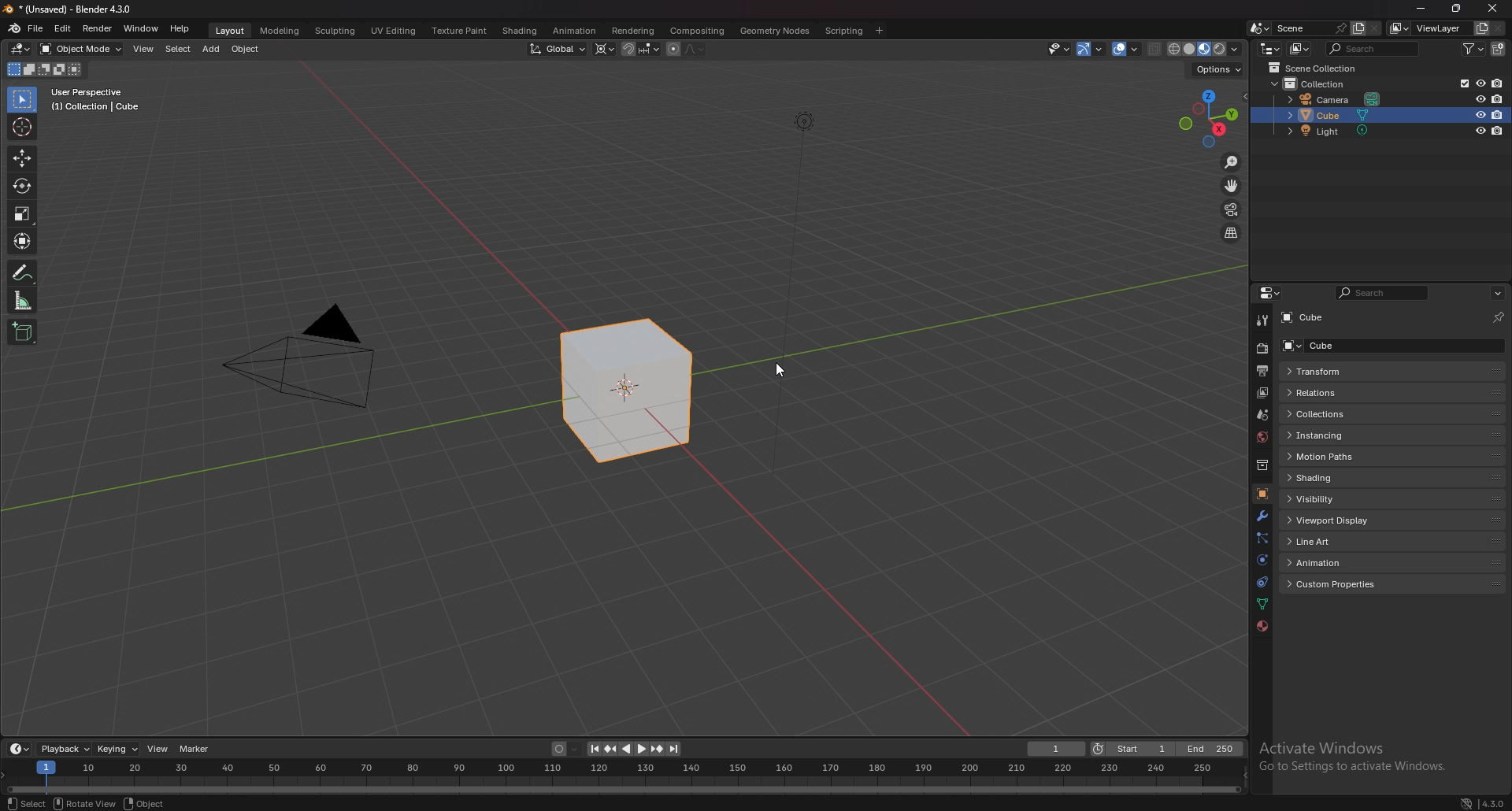  What do you see at coordinates (1381, 292) in the screenshot?
I see `search` at bounding box center [1381, 292].